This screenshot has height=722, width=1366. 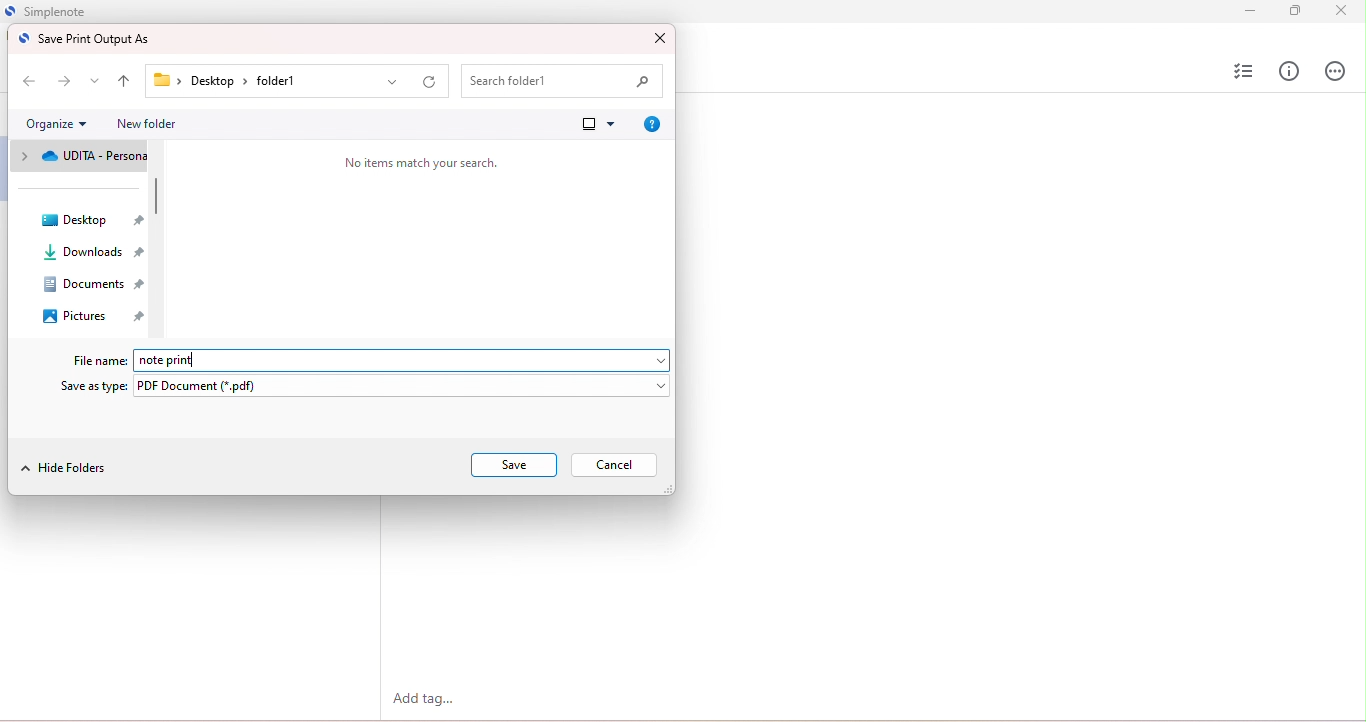 I want to click on help, so click(x=649, y=124).